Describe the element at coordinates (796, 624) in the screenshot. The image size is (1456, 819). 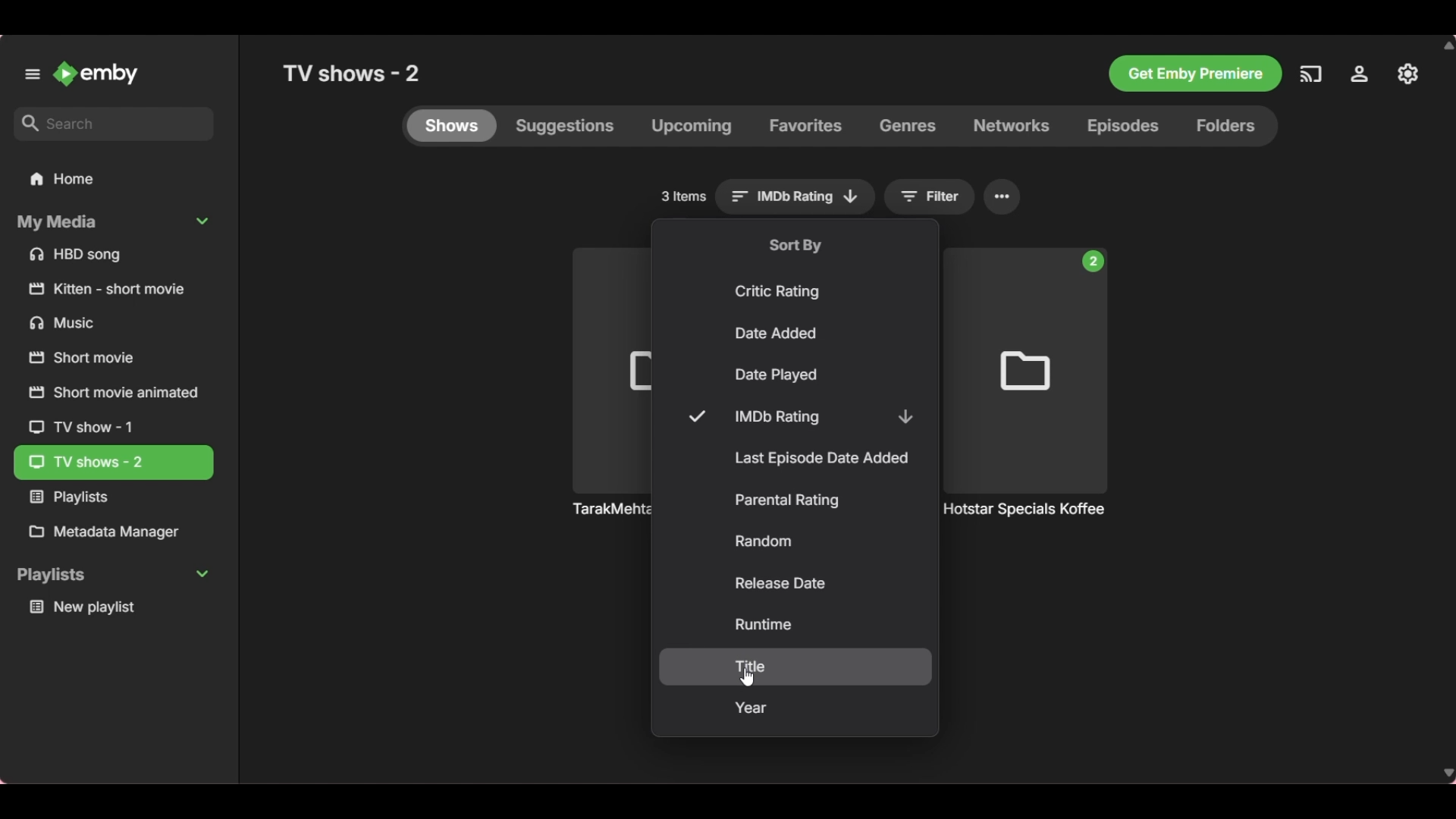
I see `Sort by runtime` at that location.